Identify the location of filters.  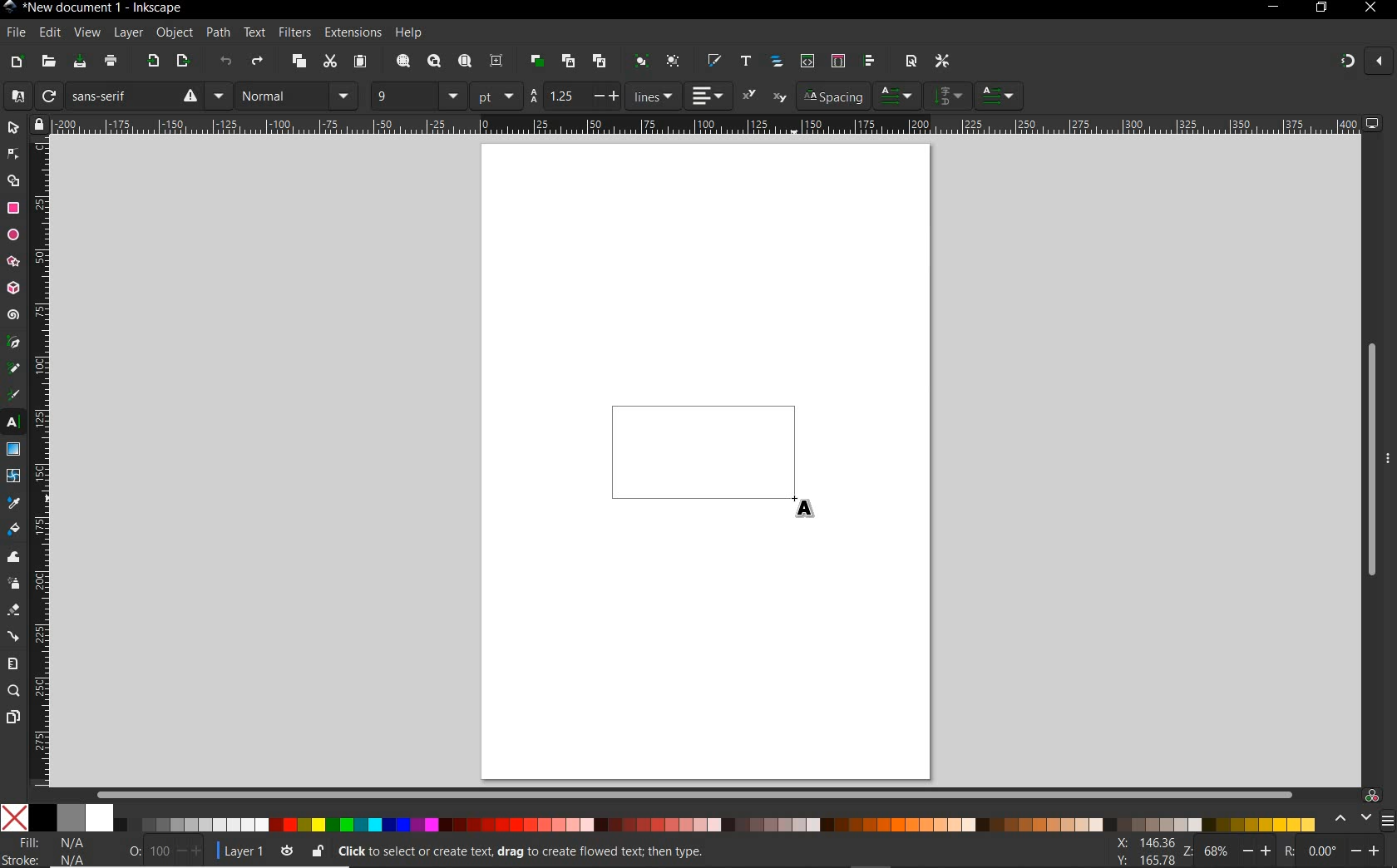
(294, 32).